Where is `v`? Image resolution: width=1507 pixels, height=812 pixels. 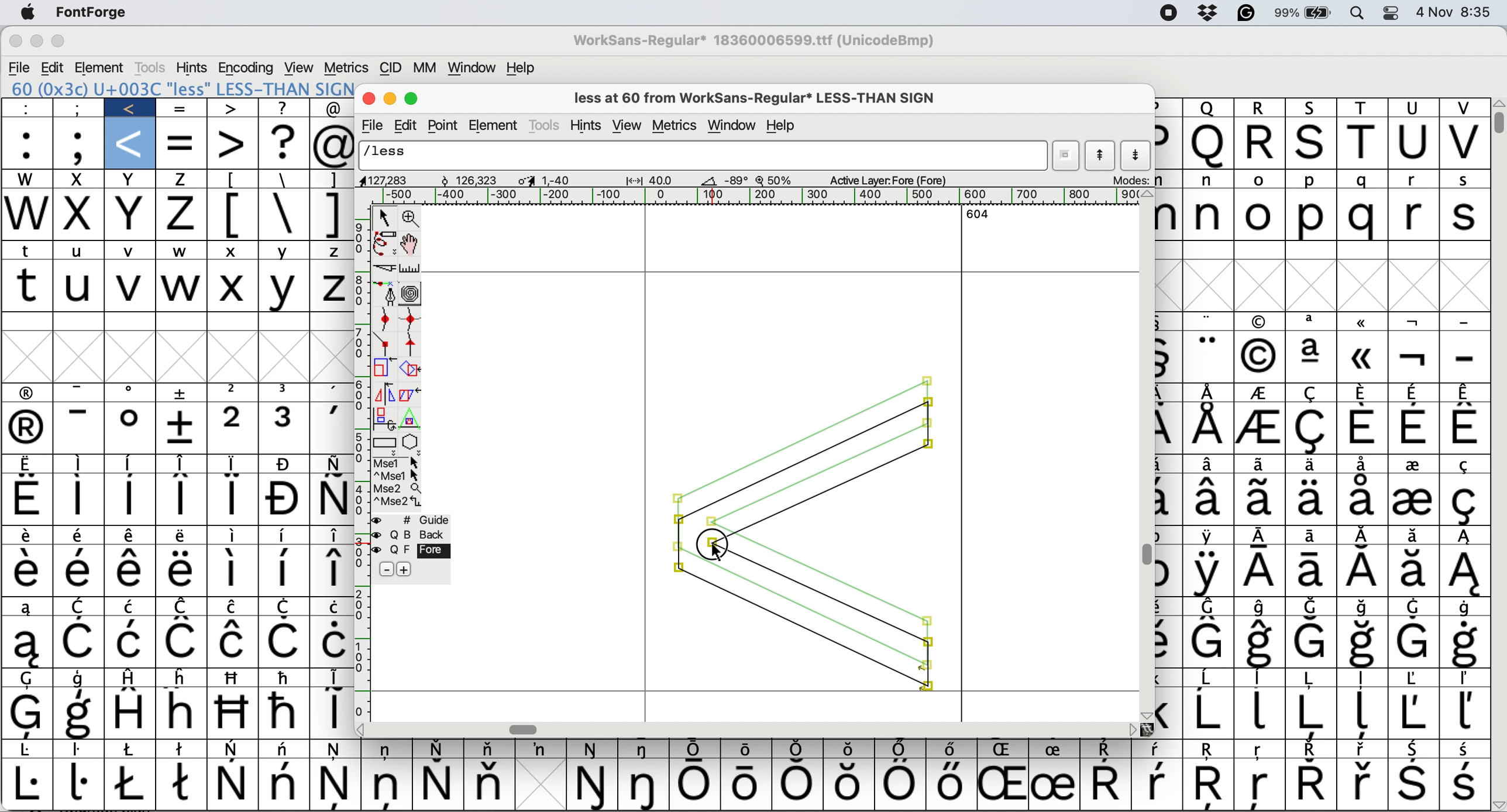 v is located at coordinates (1462, 108).